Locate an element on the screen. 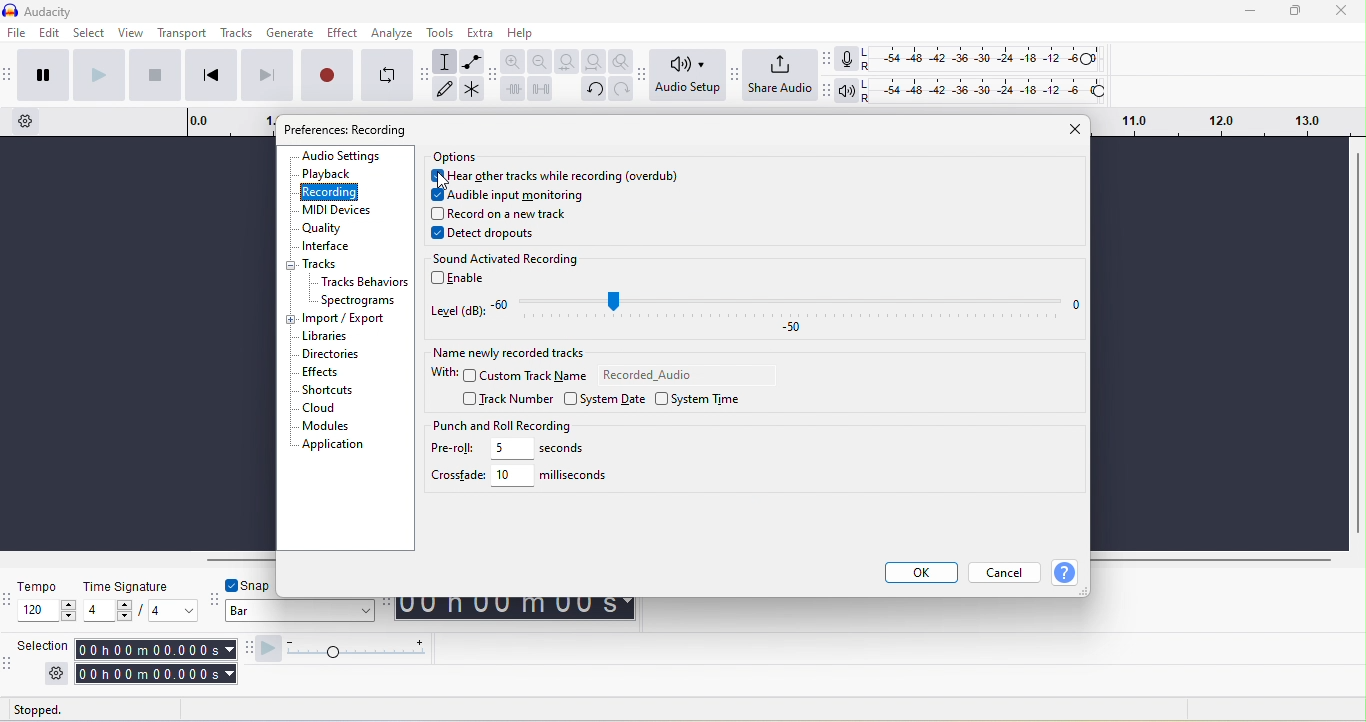  audio setup is located at coordinates (689, 74).